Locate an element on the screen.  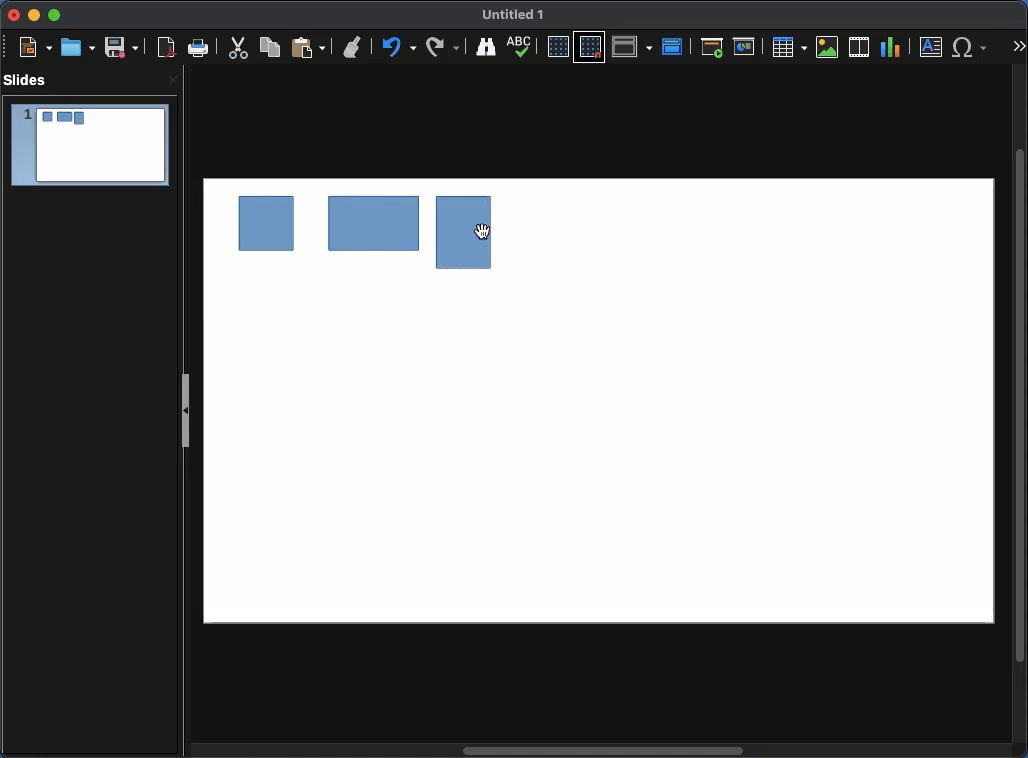
Name is located at coordinates (515, 13).